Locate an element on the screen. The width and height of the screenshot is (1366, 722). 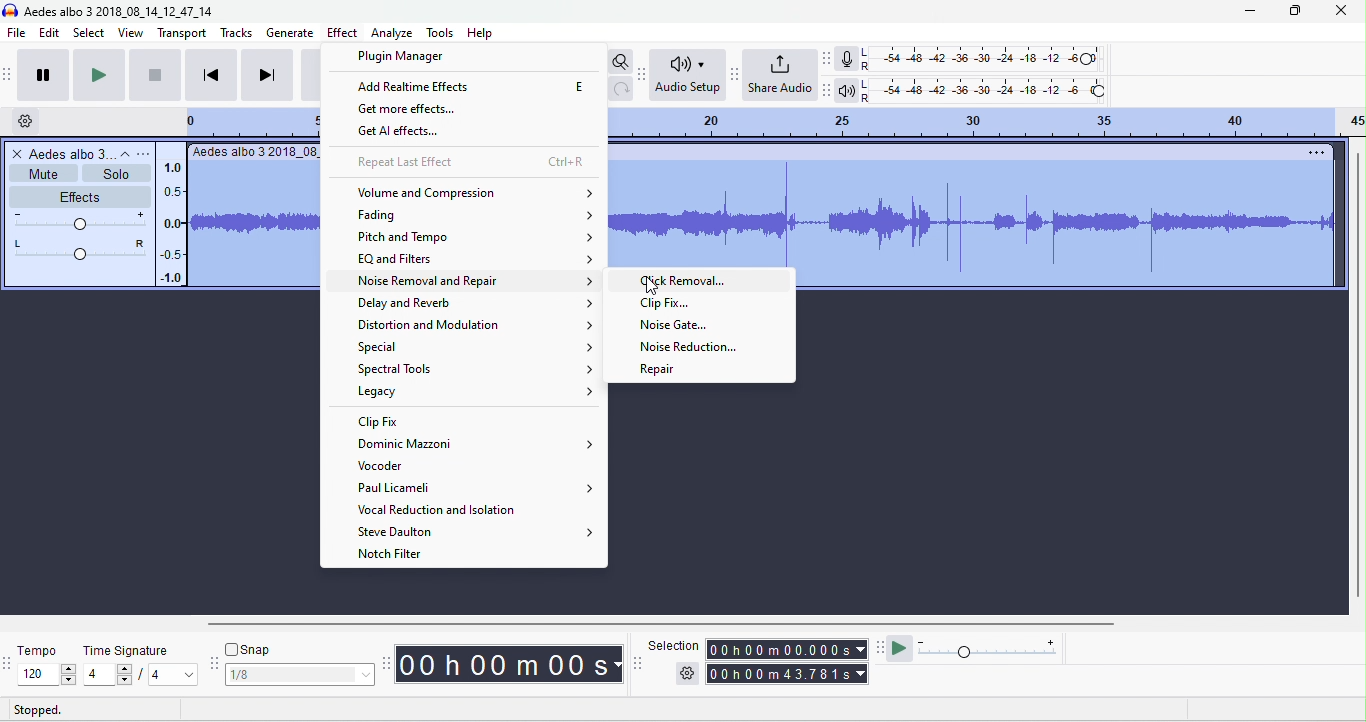
playback meter toolbar is located at coordinates (830, 91).